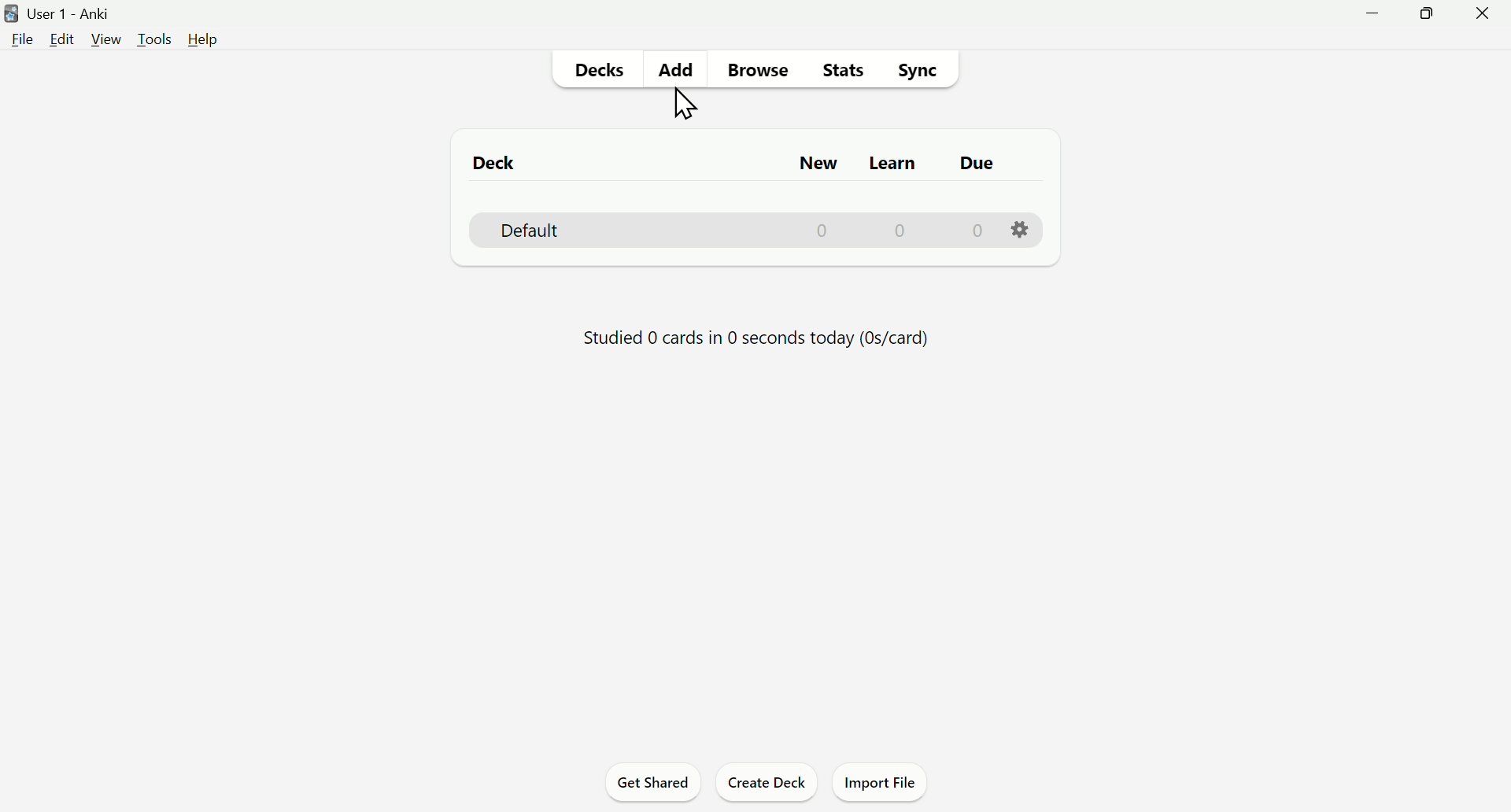 This screenshot has height=812, width=1511. What do you see at coordinates (758, 74) in the screenshot?
I see `Browse` at bounding box center [758, 74].